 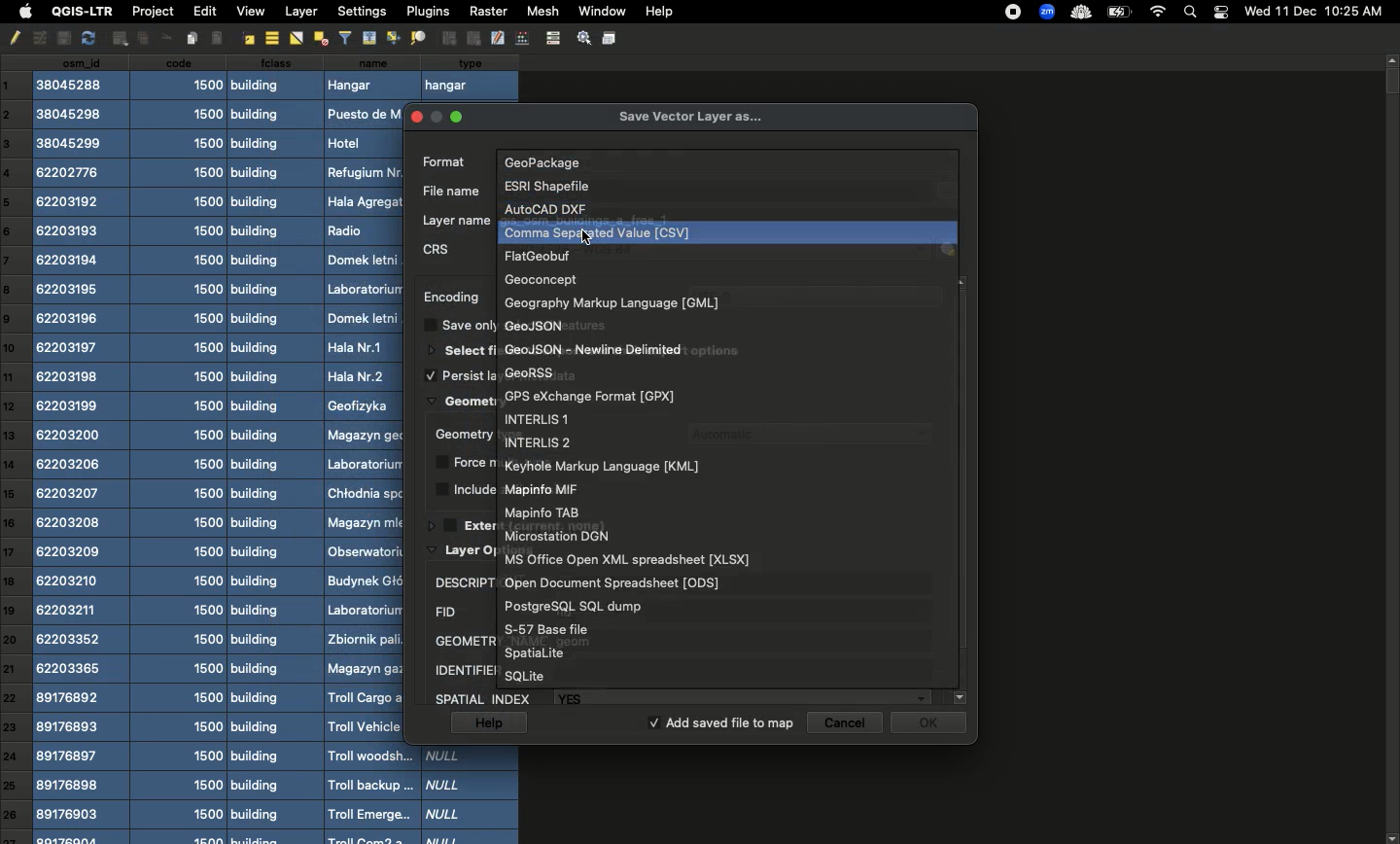 What do you see at coordinates (1045, 12) in the screenshot?
I see `zoom` at bounding box center [1045, 12].